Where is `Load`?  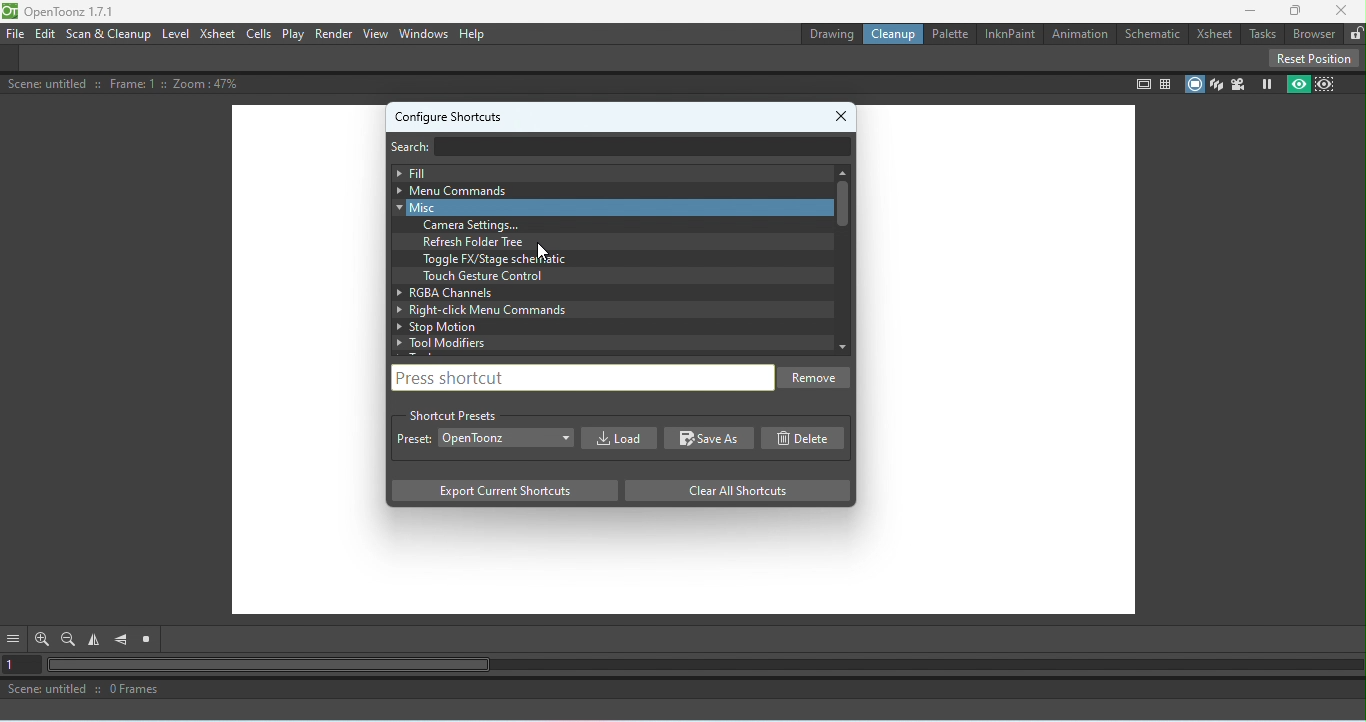 Load is located at coordinates (616, 438).